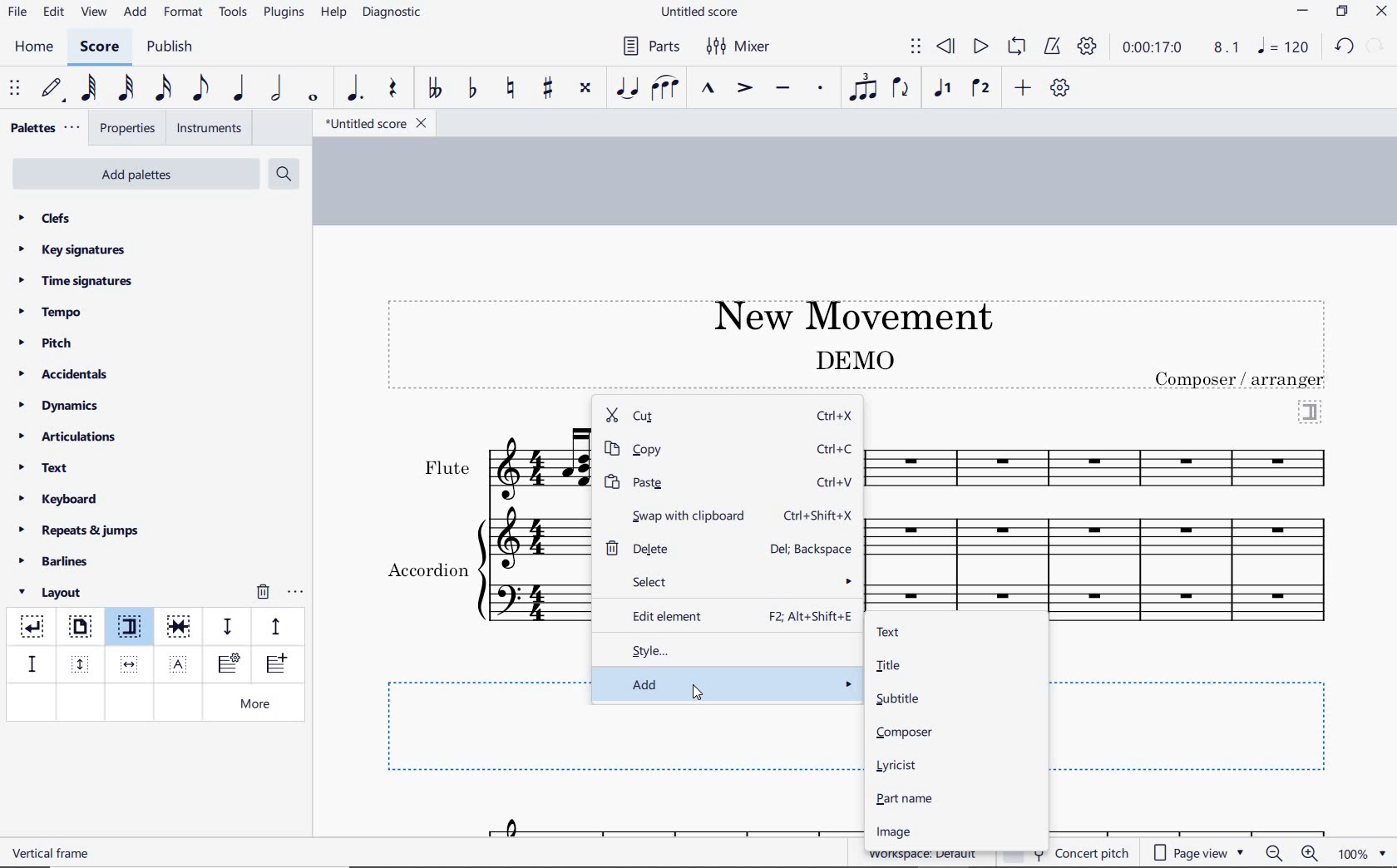 Image resolution: width=1397 pixels, height=868 pixels. I want to click on 64th note, so click(91, 88).